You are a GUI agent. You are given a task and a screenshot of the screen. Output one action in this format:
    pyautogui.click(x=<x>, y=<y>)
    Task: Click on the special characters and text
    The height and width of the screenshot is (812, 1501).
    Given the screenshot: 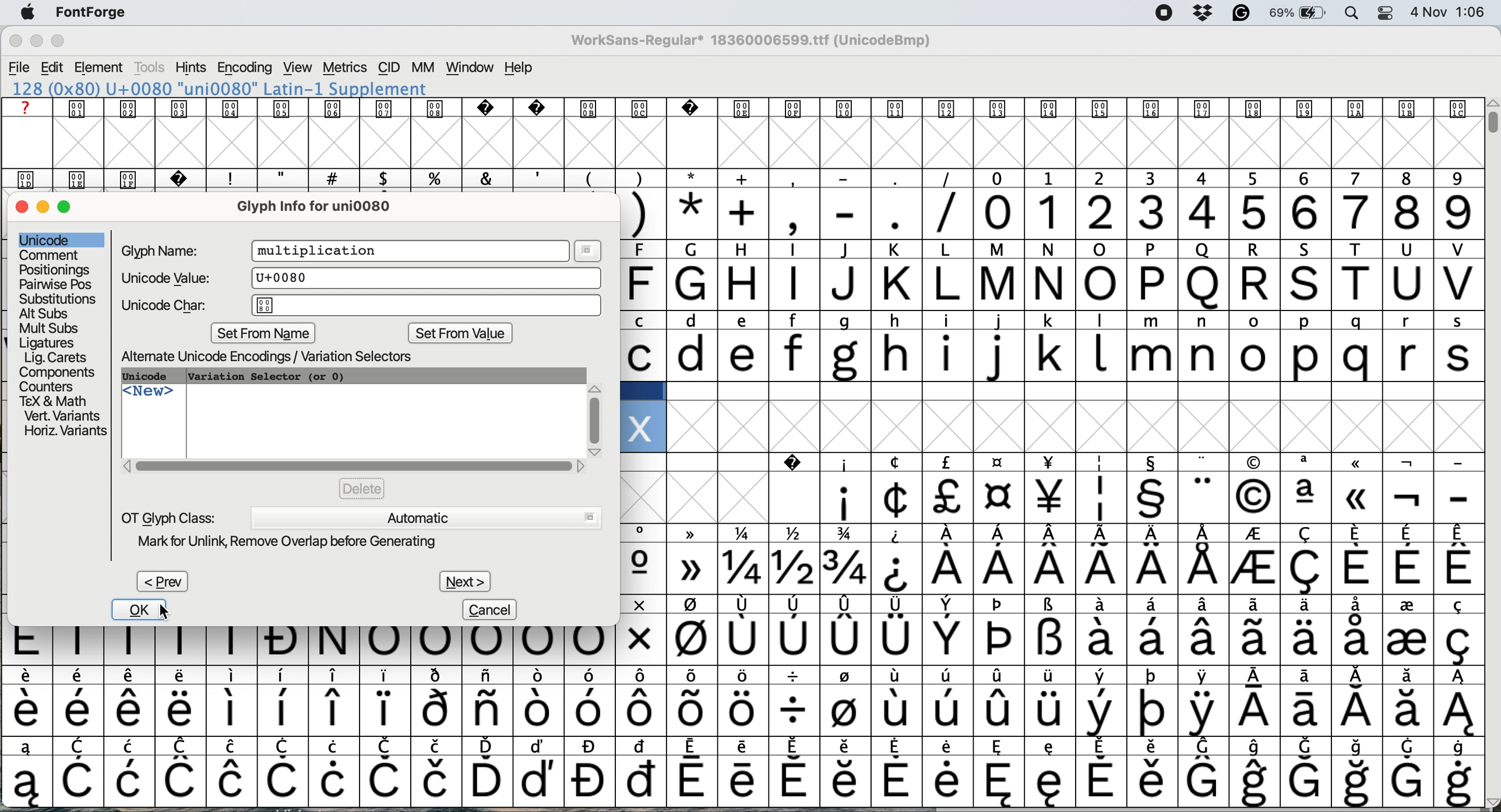 What is the action you would take?
    pyautogui.click(x=1038, y=252)
    